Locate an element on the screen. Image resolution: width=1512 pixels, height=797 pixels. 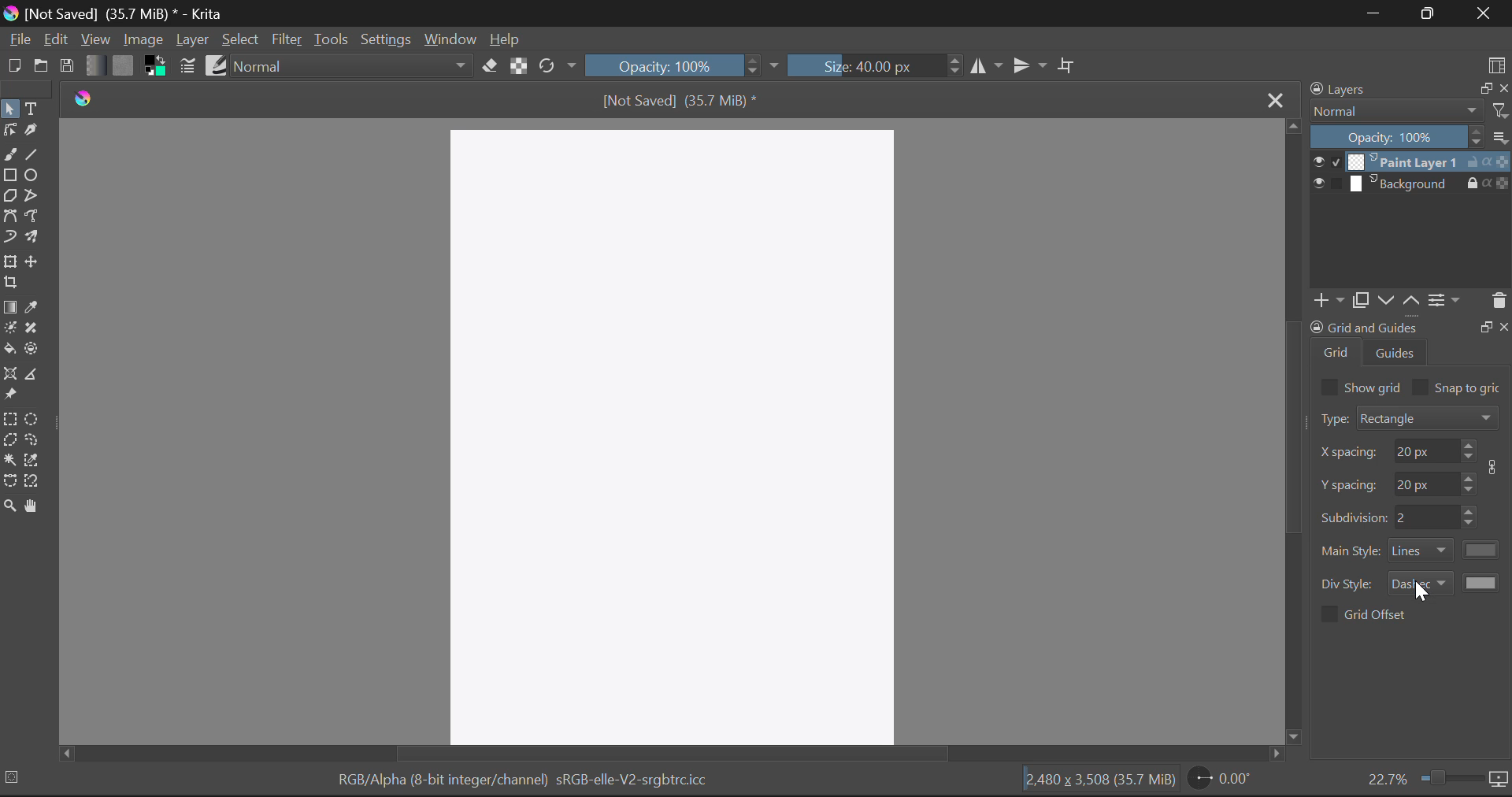
spacing y is located at coordinates (1425, 482).